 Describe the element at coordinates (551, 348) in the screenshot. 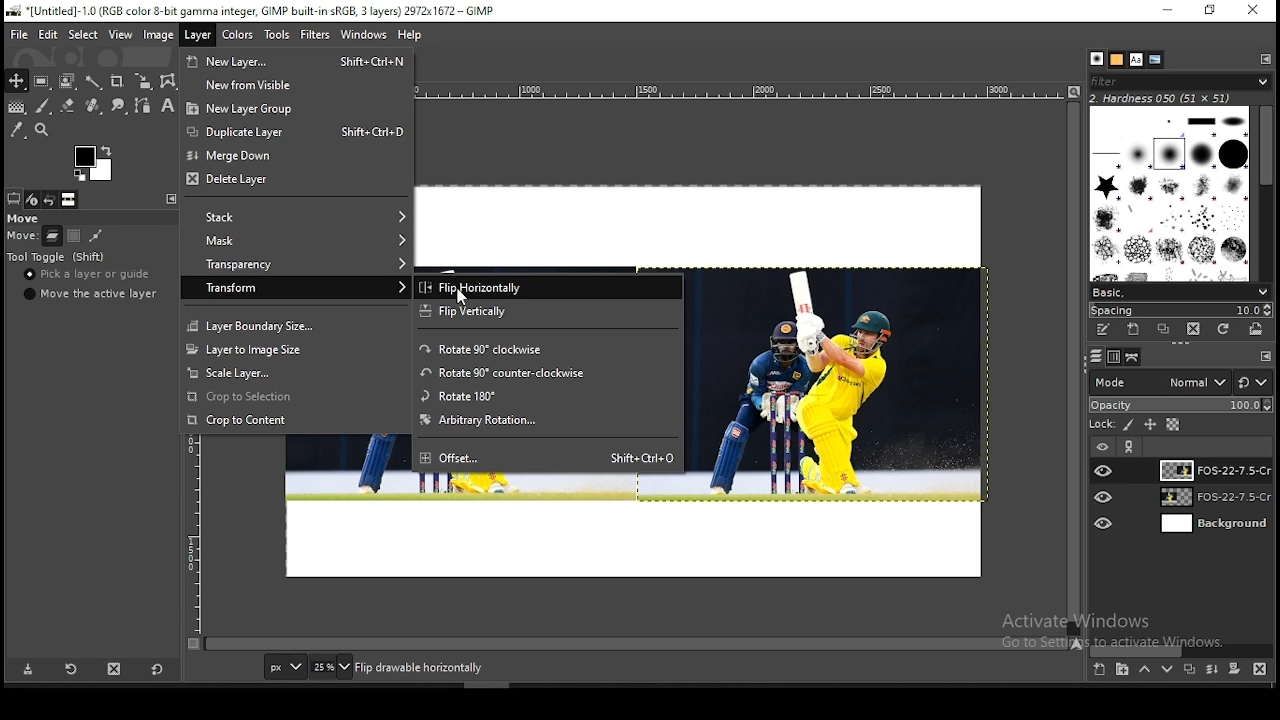

I see `rotate 90 clockwise` at that location.